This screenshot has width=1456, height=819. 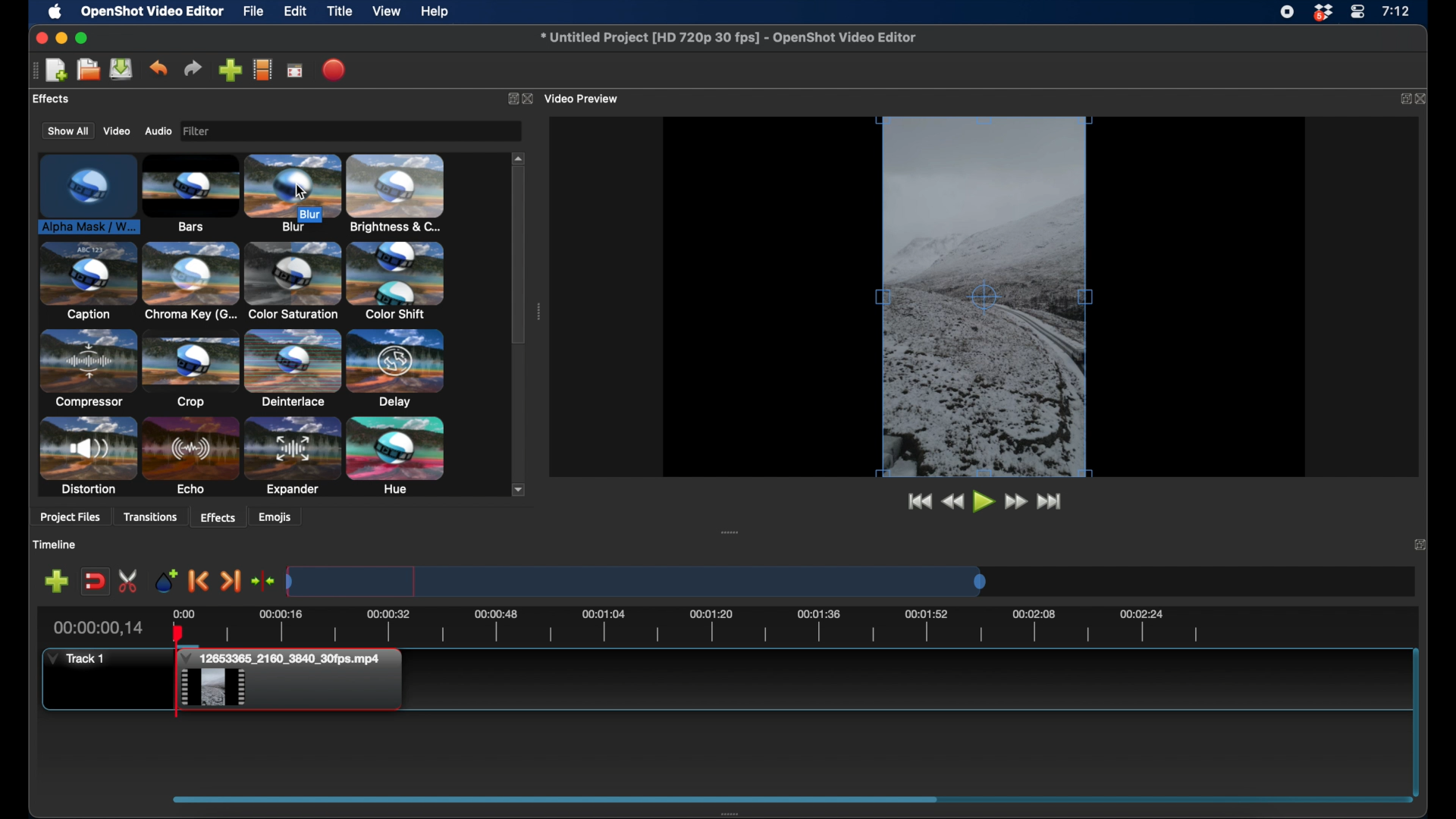 What do you see at coordinates (555, 798) in the screenshot?
I see `drag handle` at bounding box center [555, 798].